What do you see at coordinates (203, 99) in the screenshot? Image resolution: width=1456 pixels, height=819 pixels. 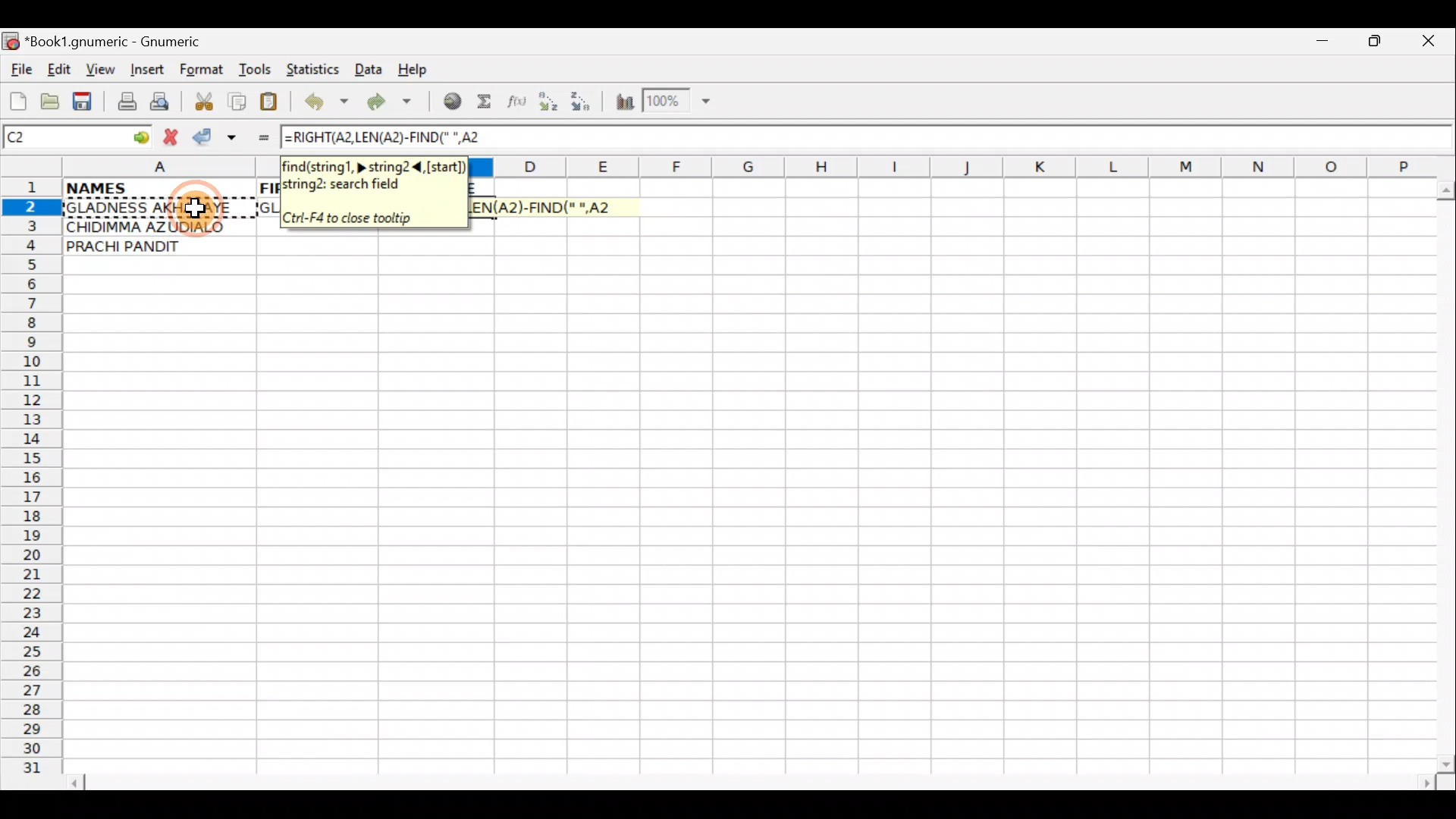 I see `Cut selection` at bounding box center [203, 99].